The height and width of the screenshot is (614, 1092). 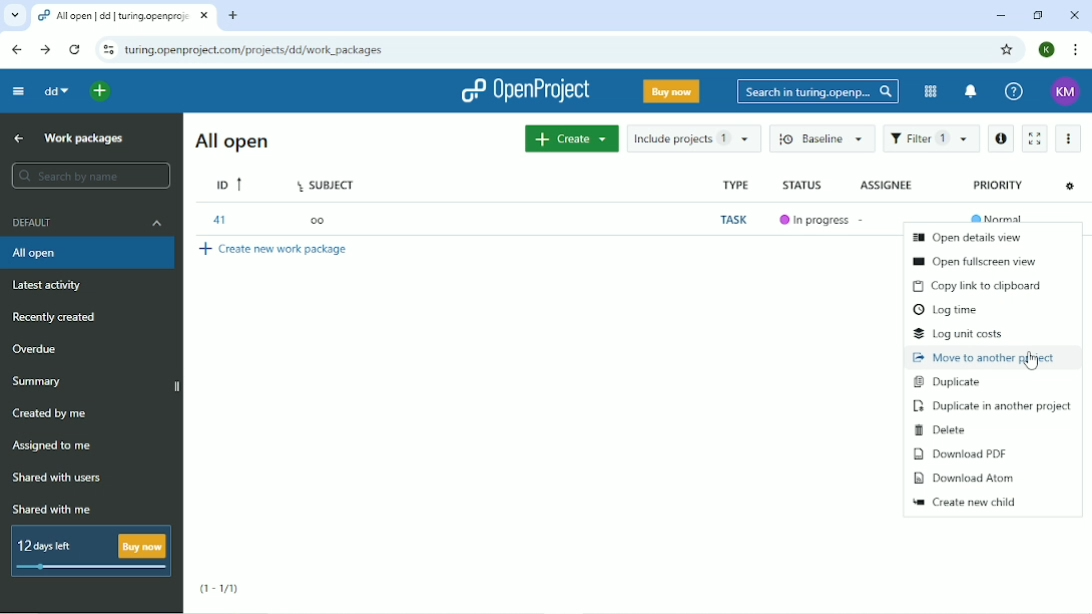 I want to click on KM, so click(x=1067, y=91).